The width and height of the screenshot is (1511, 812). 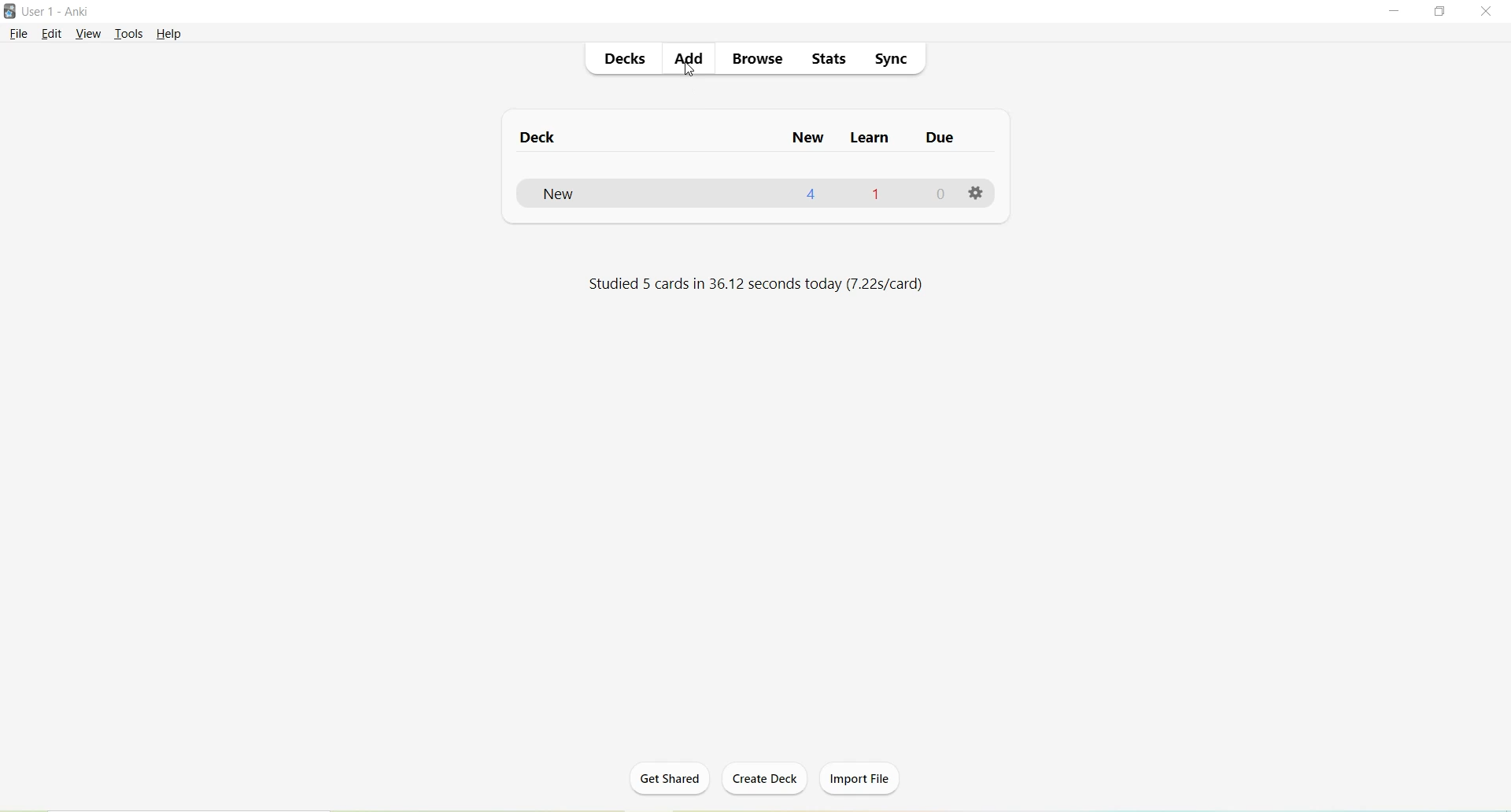 I want to click on Decks, so click(x=623, y=57).